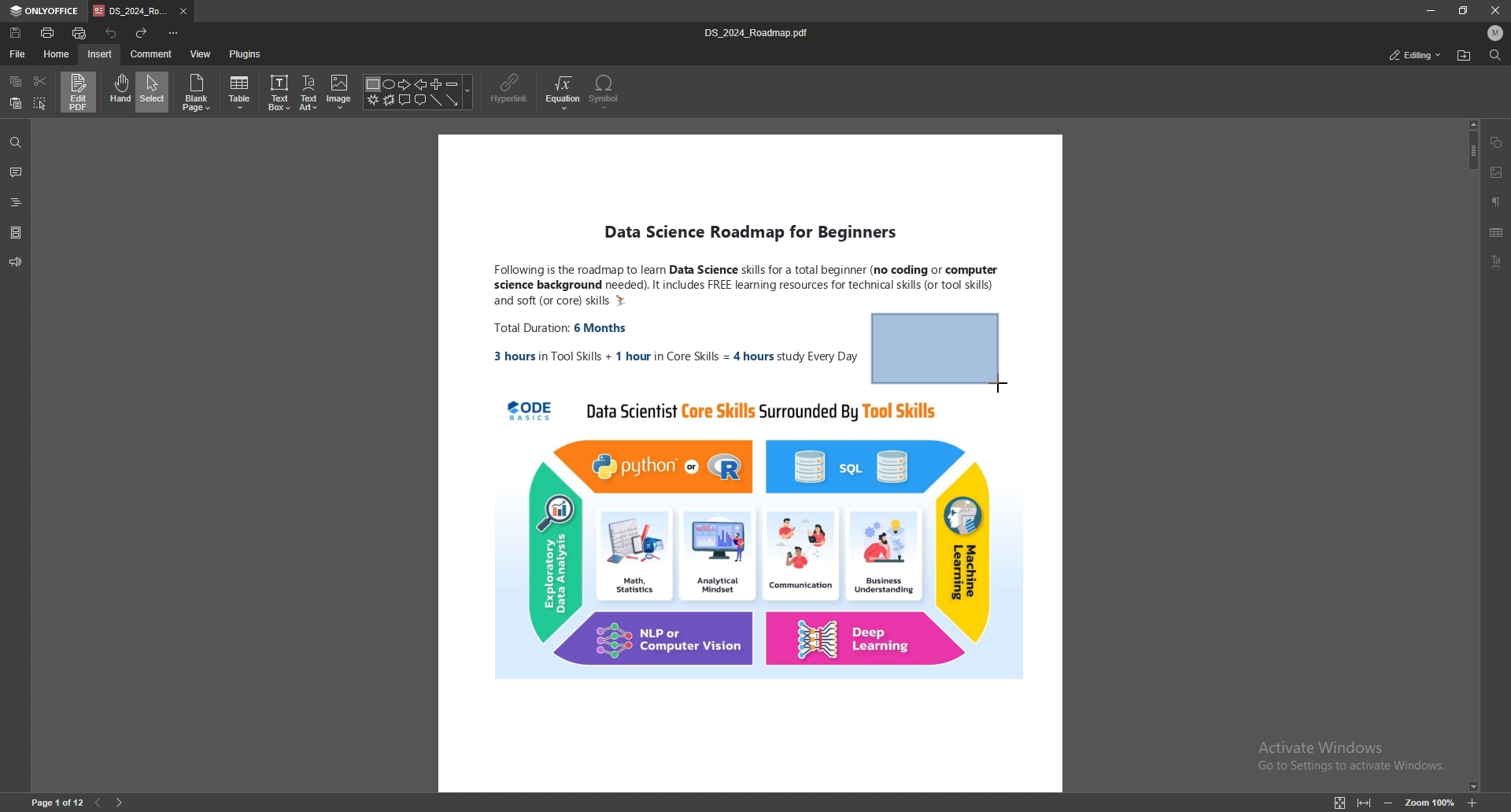 This screenshot has height=812, width=1511. I want to click on equation, so click(564, 92).